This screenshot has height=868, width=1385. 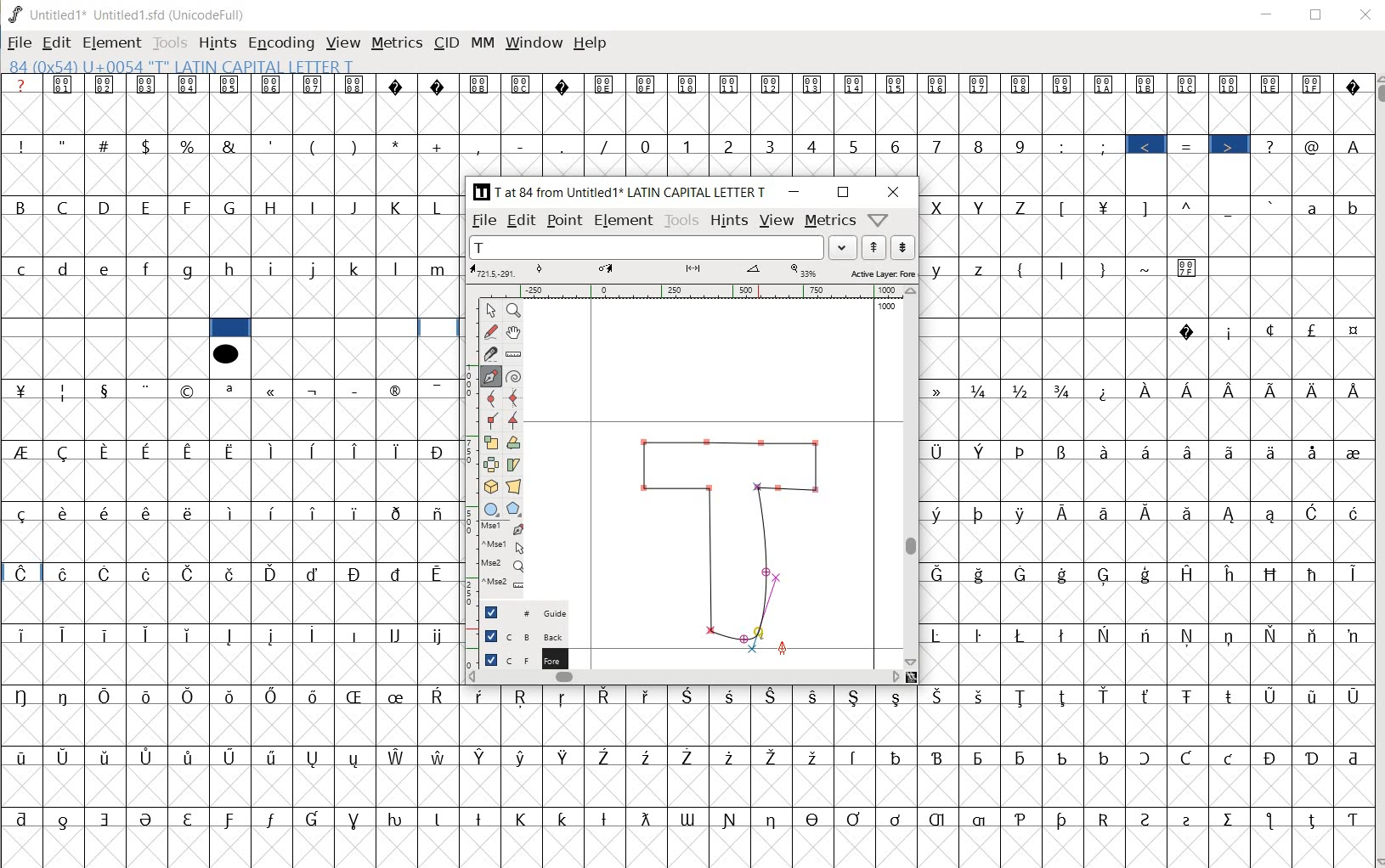 I want to click on pen tool cursor, so click(x=782, y=648).